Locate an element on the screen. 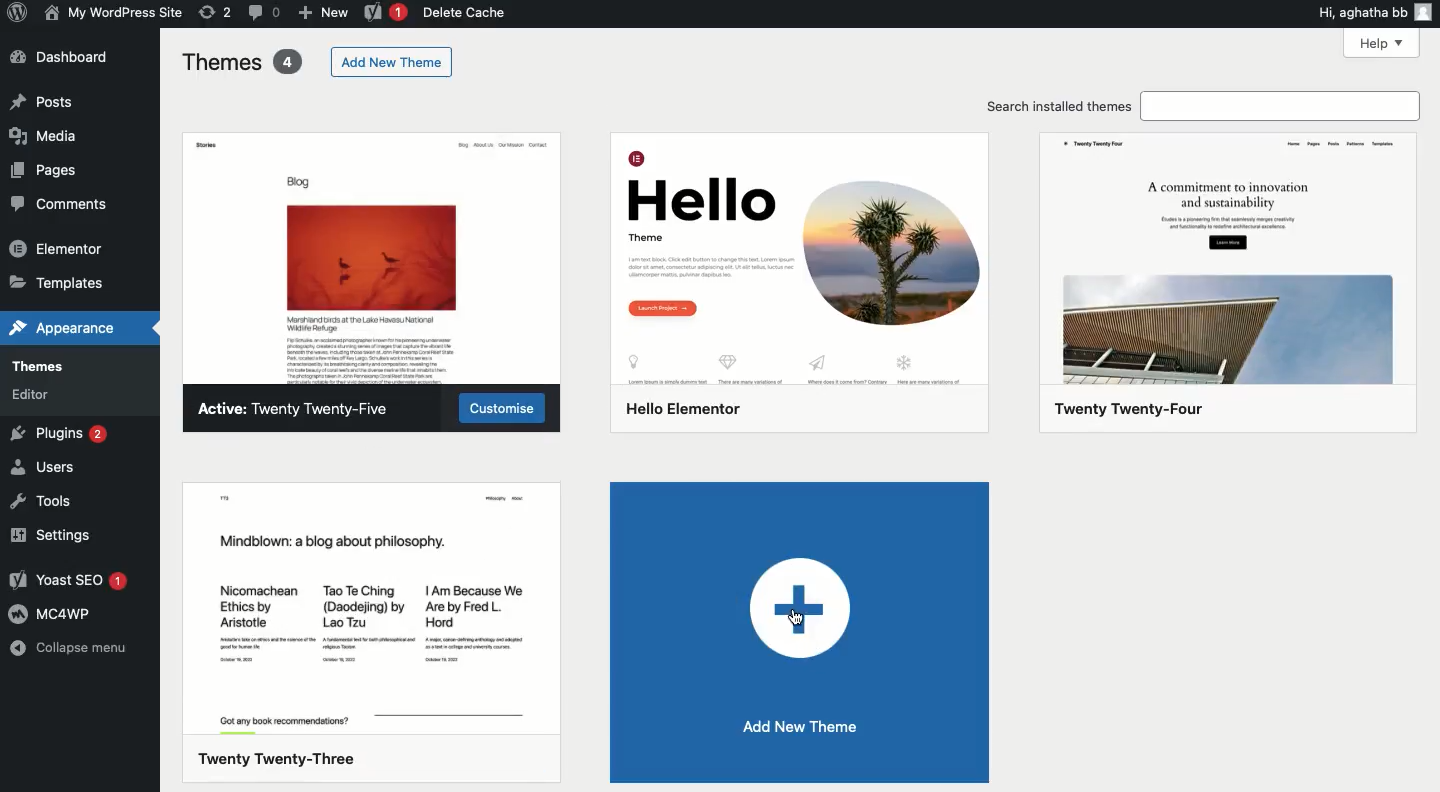 The width and height of the screenshot is (1440, 792). user icon is located at coordinates (1427, 12).